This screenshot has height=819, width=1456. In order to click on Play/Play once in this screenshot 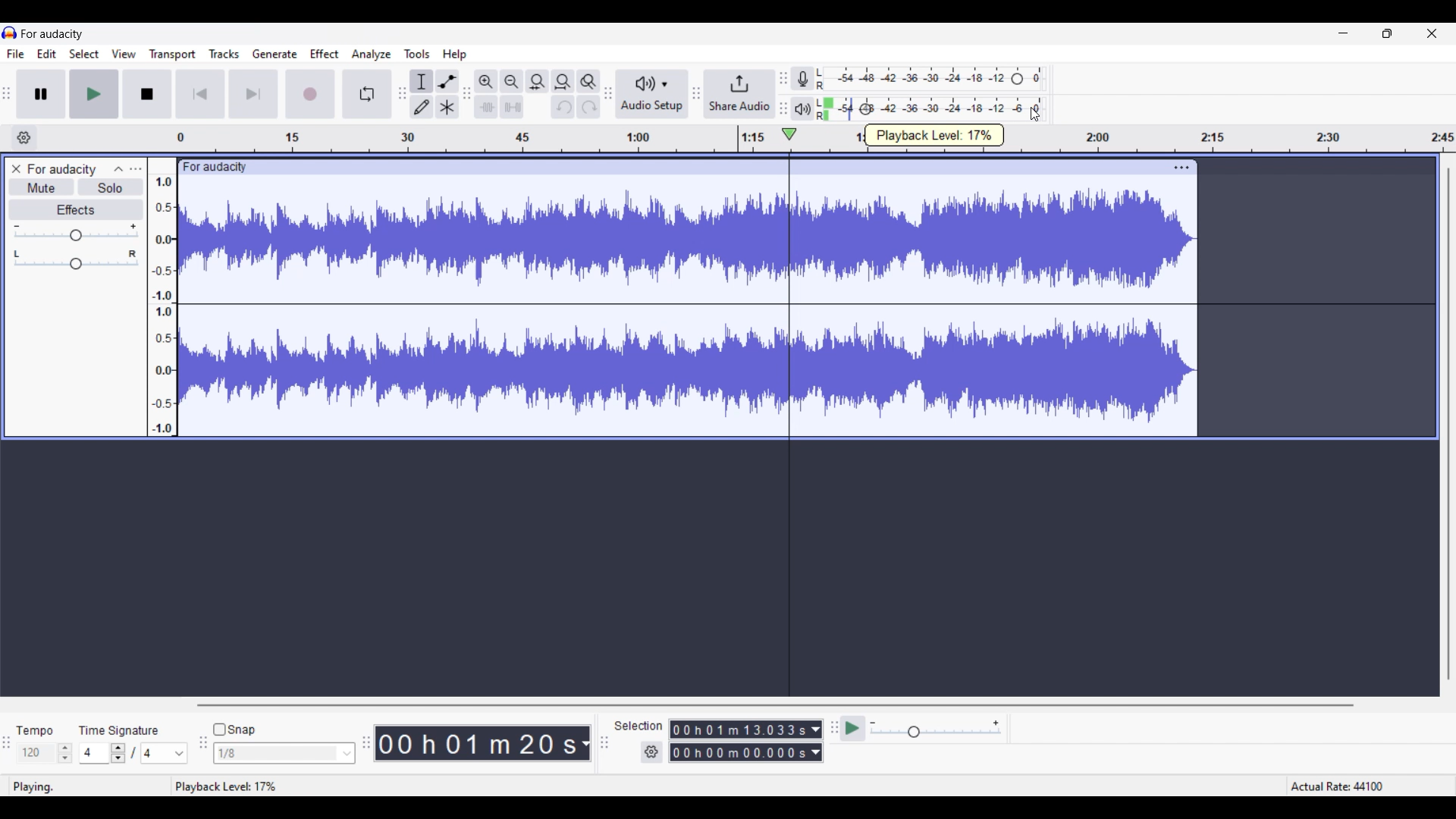, I will do `click(93, 94)`.